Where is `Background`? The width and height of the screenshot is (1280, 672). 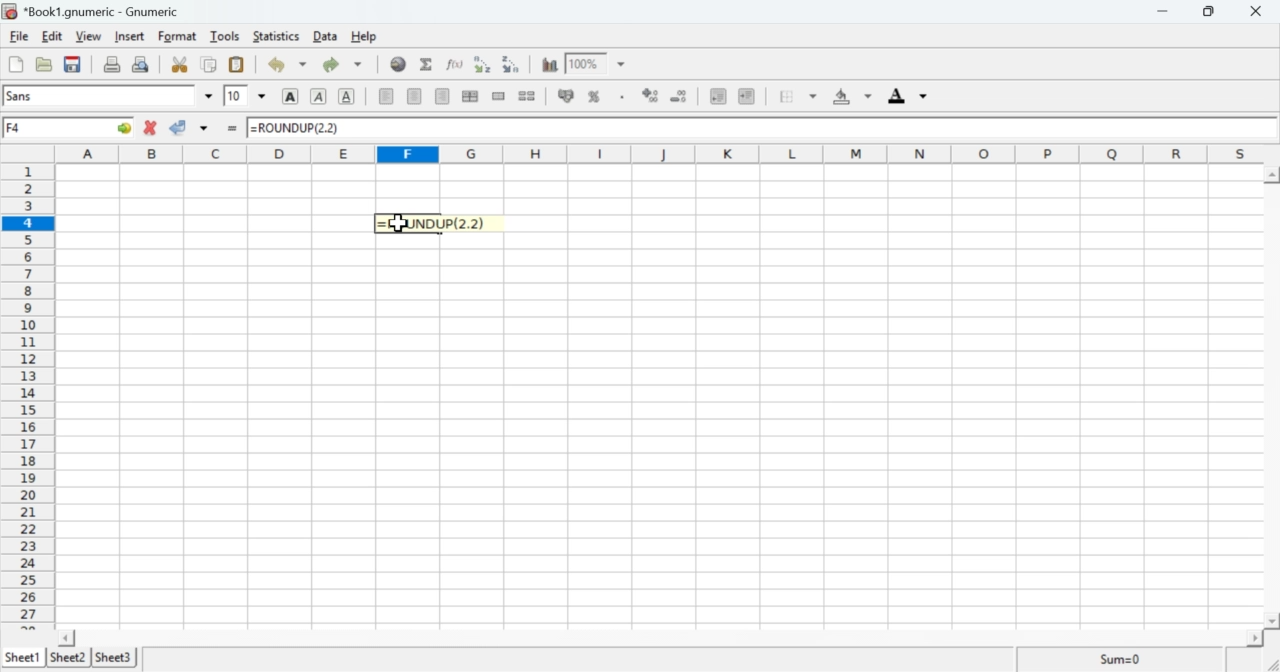
Background is located at coordinates (847, 96).